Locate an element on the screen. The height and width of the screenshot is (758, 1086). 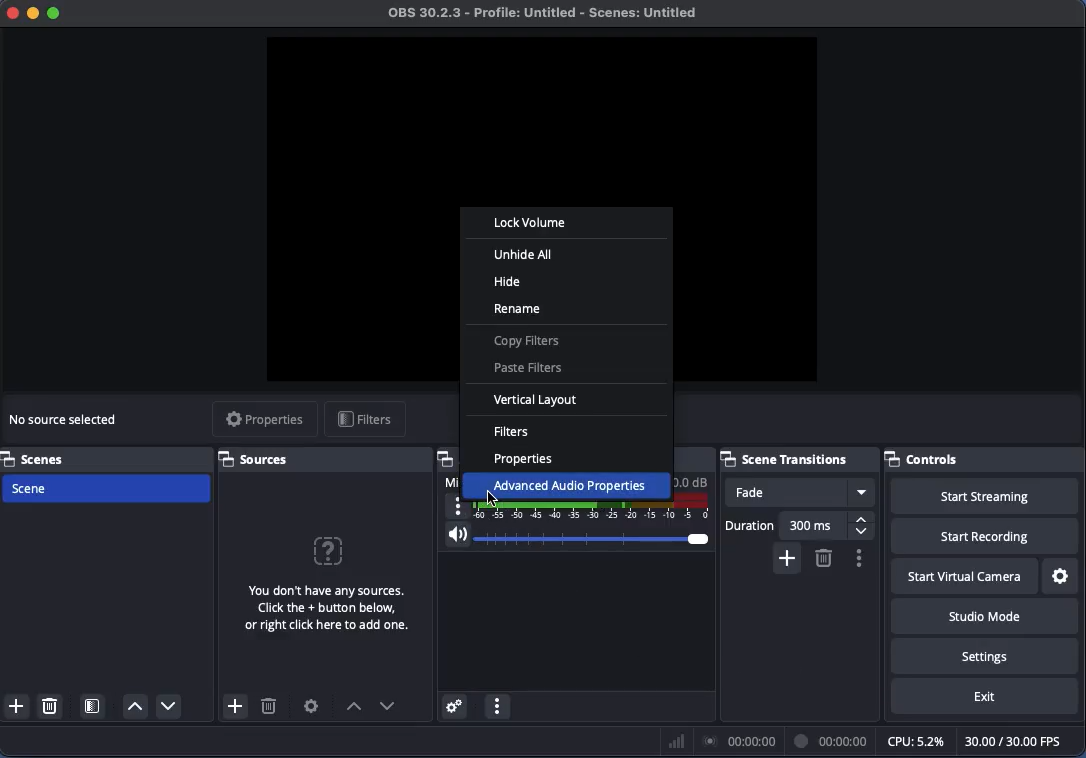
Settings is located at coordinates (312, 706).